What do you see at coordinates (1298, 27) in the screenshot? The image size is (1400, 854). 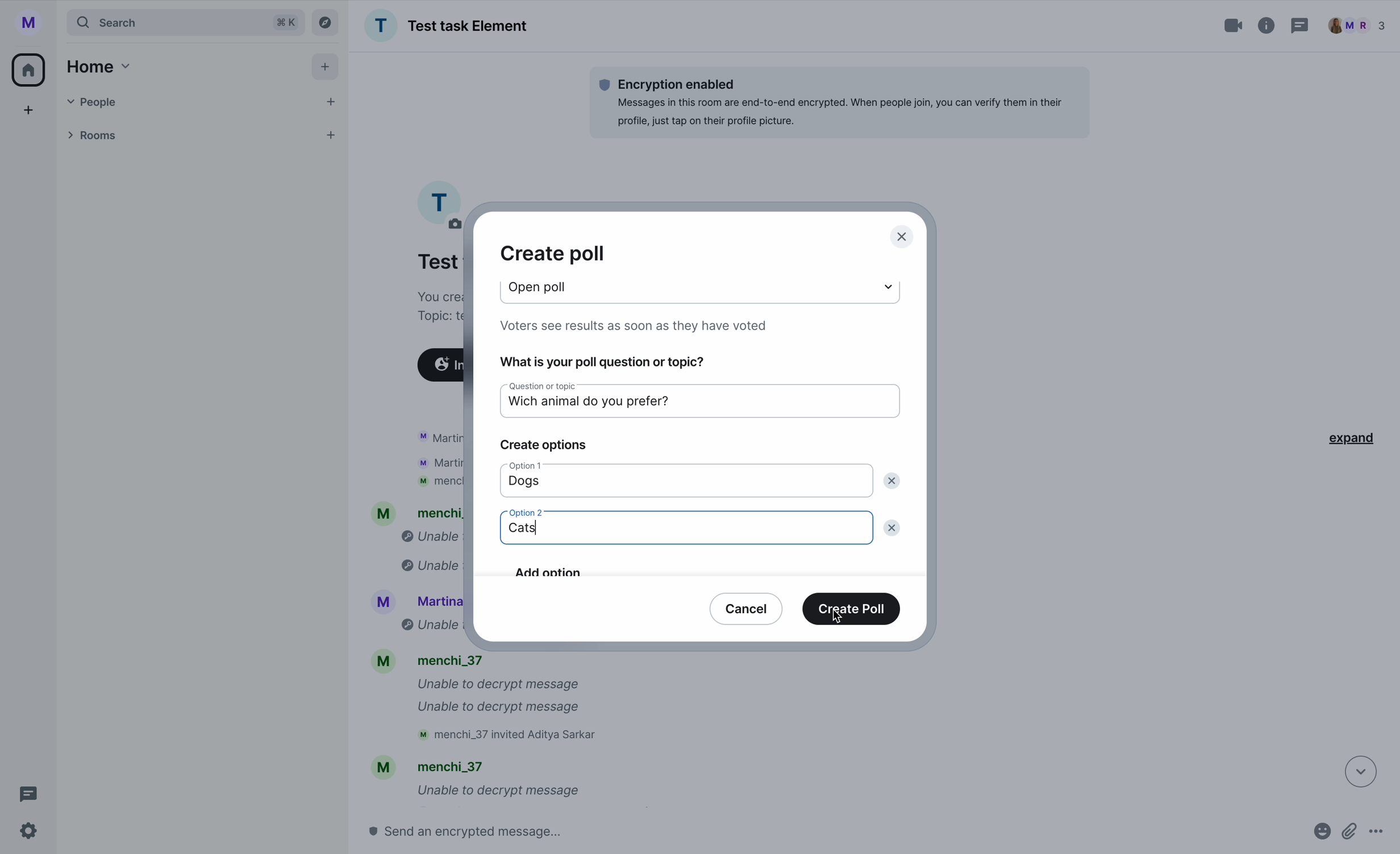 I see `threads` at bounding box center [1298, 27].